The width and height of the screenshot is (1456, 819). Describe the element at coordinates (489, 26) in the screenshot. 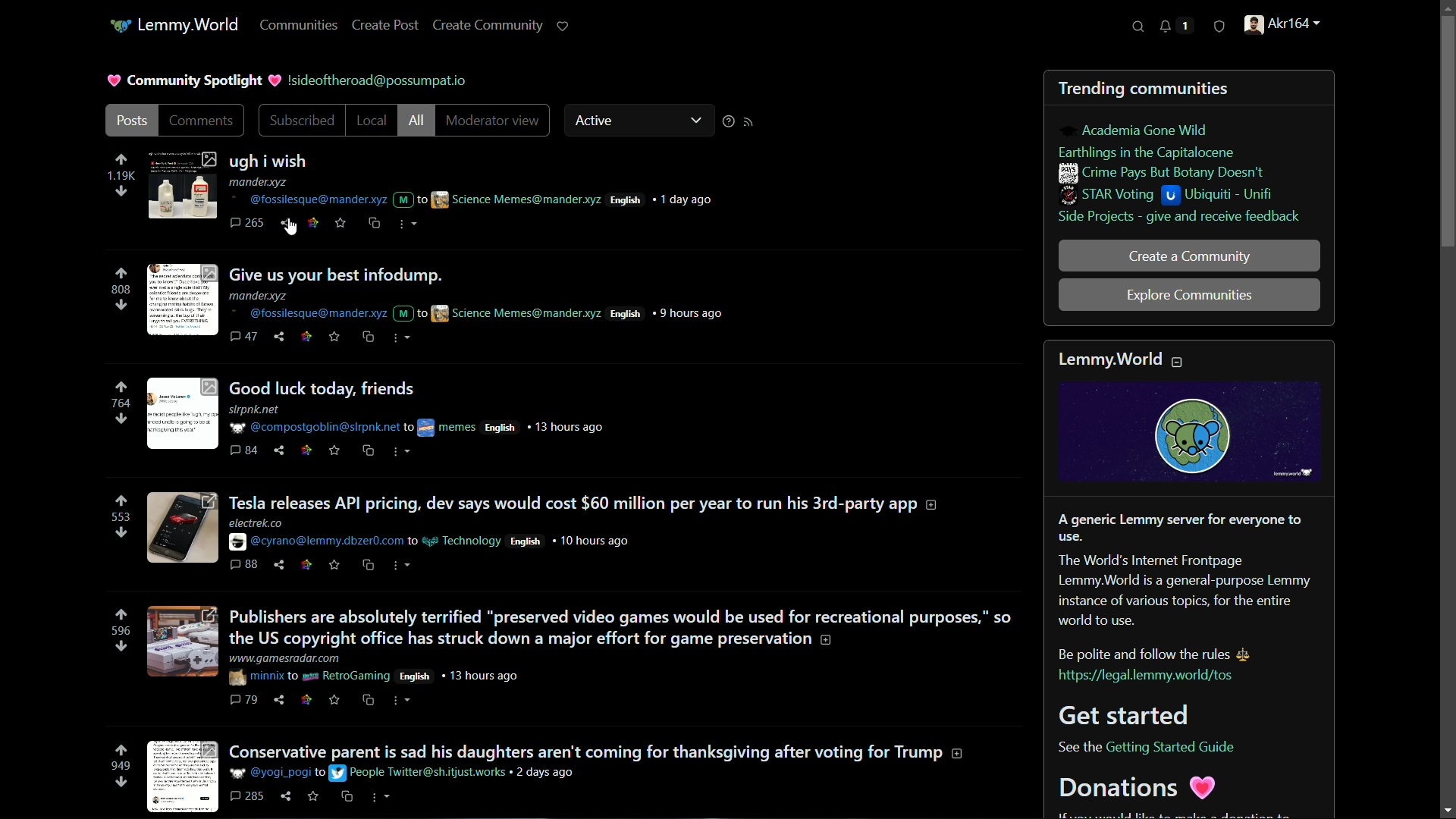

I see `create community` at that location.